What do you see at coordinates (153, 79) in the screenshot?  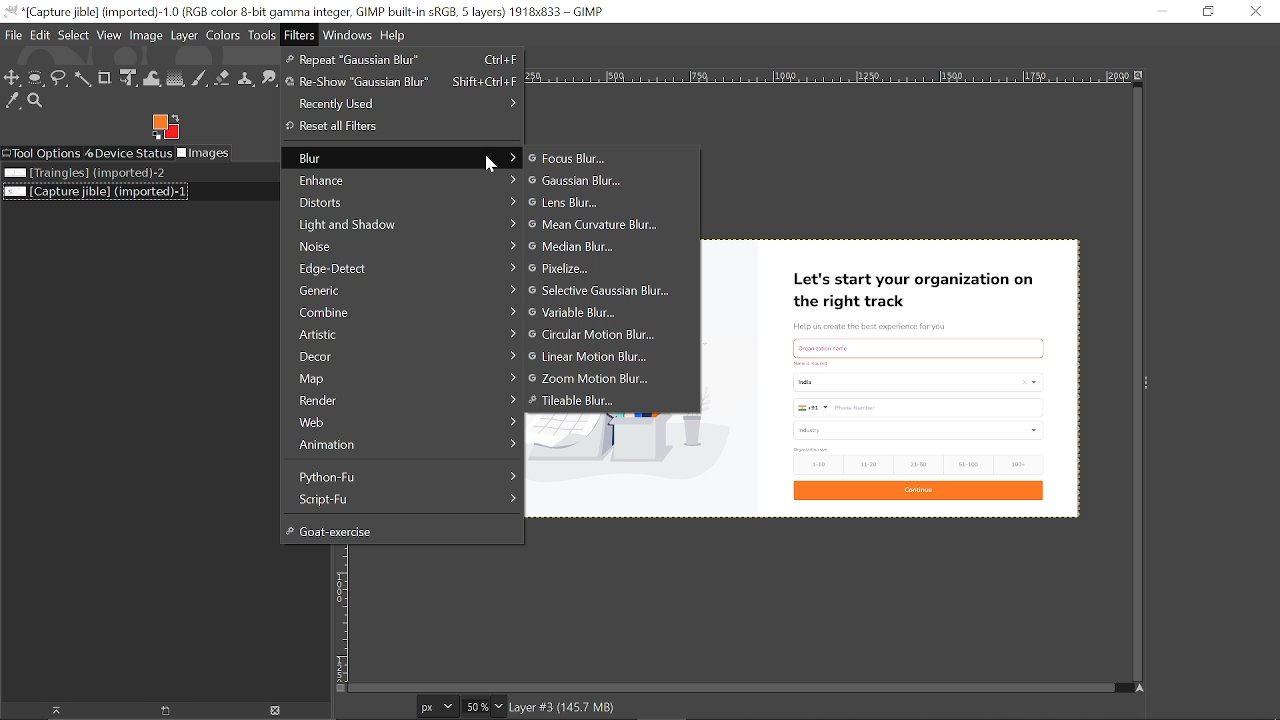 I see `Wrap text tool` at bounding box center [153, 79].